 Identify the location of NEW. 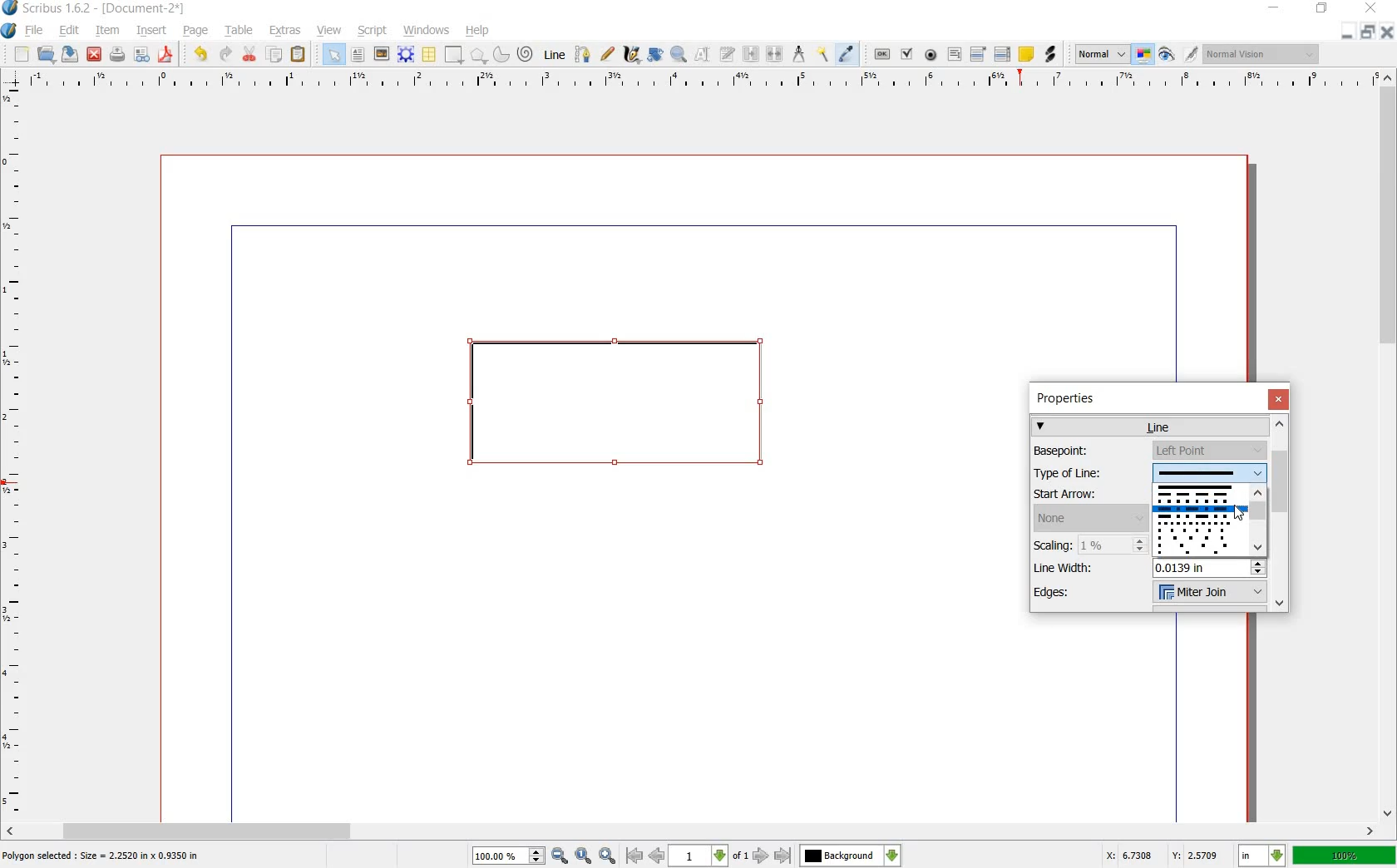
(21, 55).